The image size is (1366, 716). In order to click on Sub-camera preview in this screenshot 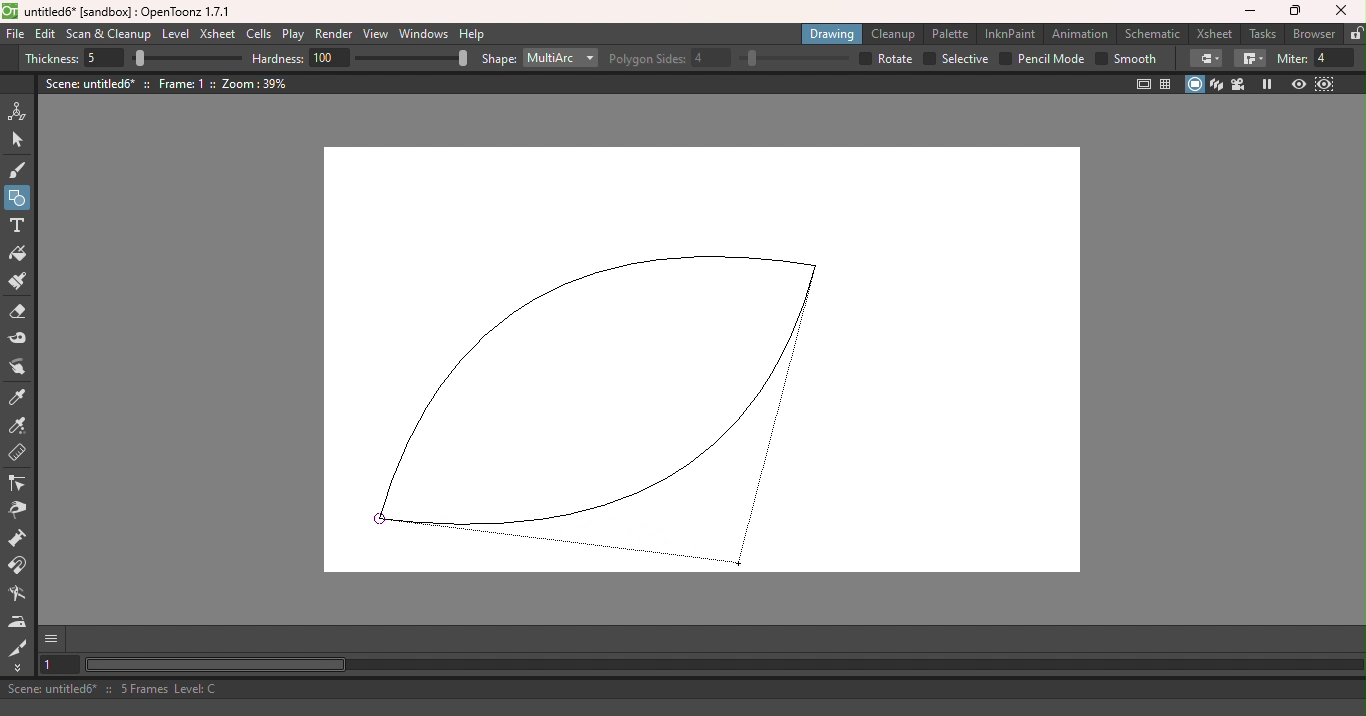, I will do `click(1324, 85)`.